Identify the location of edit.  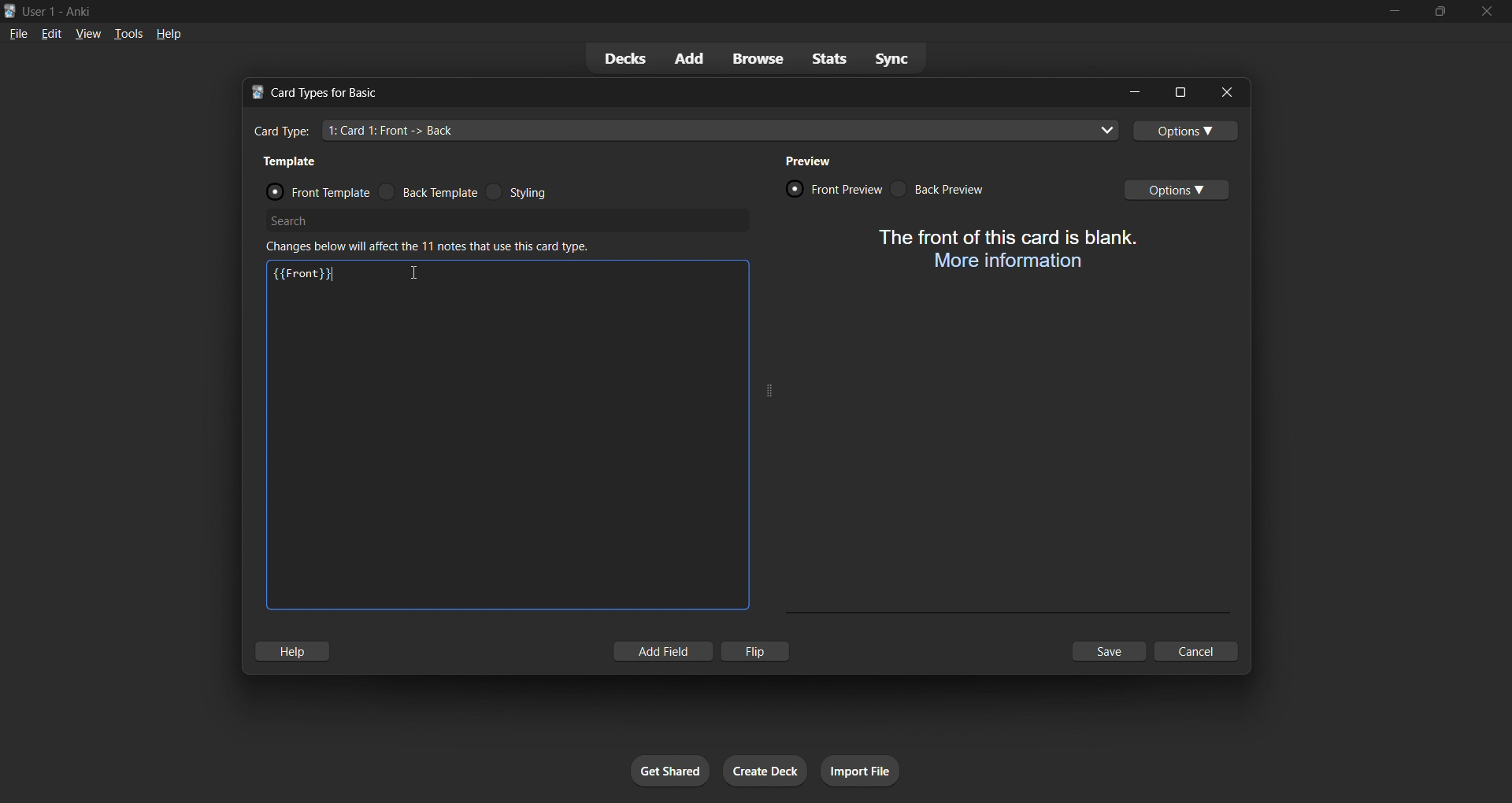
(51, 35).